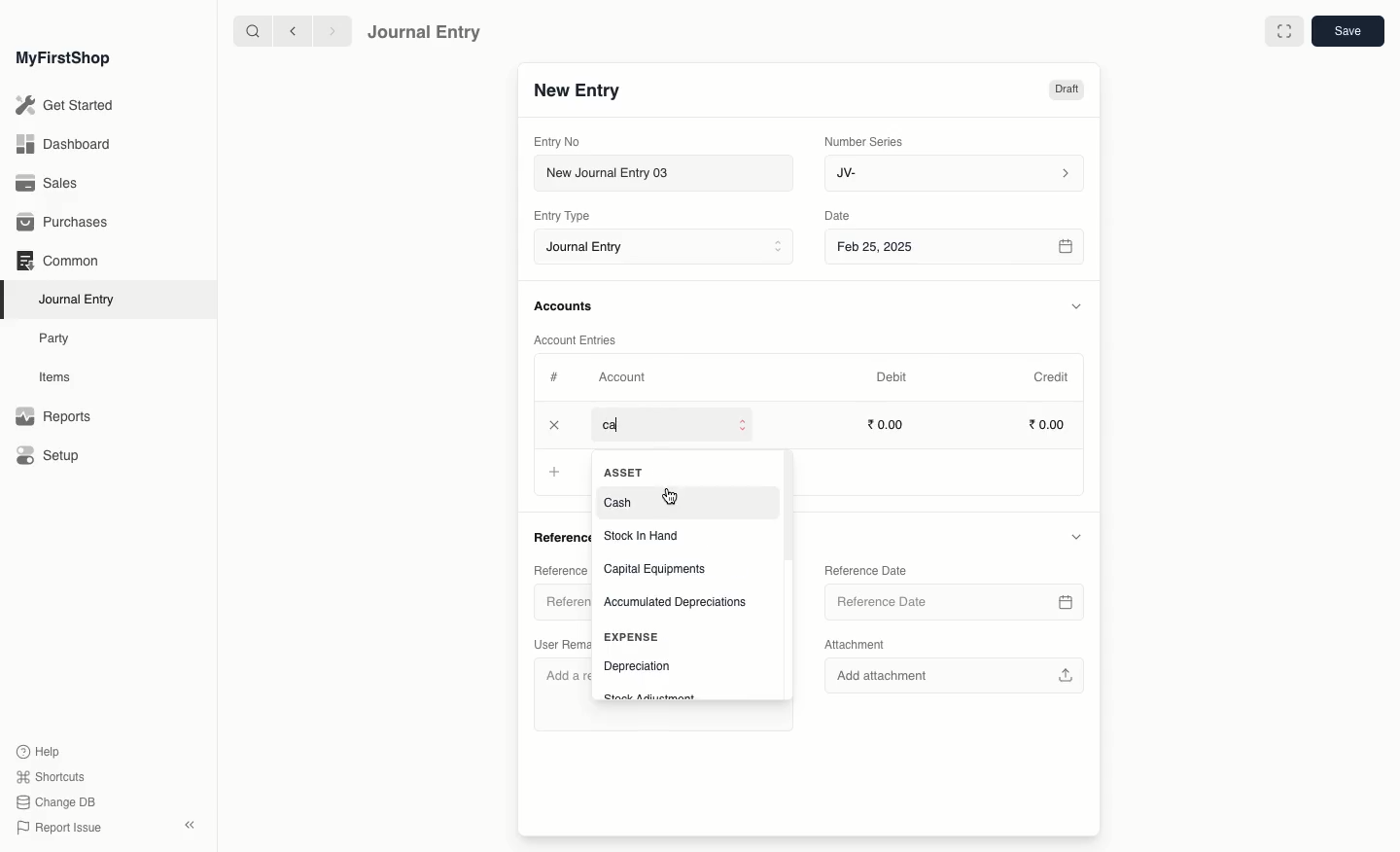 The image size is (1400, 852). What do you see at coordinates (577, 91) in the screenshot?
I see `New Entry` at bounding box center [577, 91].